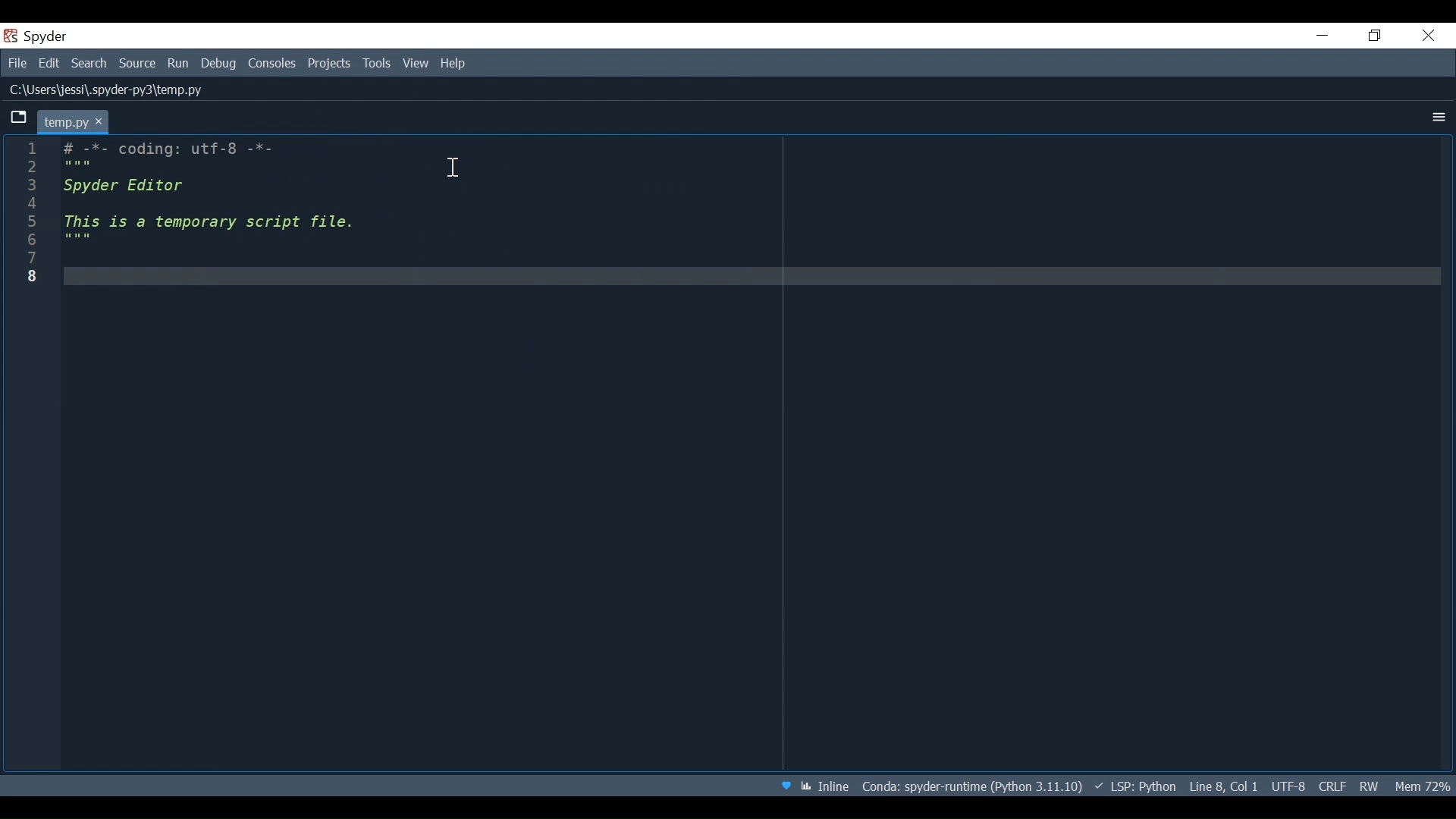  What do you see at coordinates (457, 63) in the screenshot?
I see `Help` at bounding box center [457, 63].